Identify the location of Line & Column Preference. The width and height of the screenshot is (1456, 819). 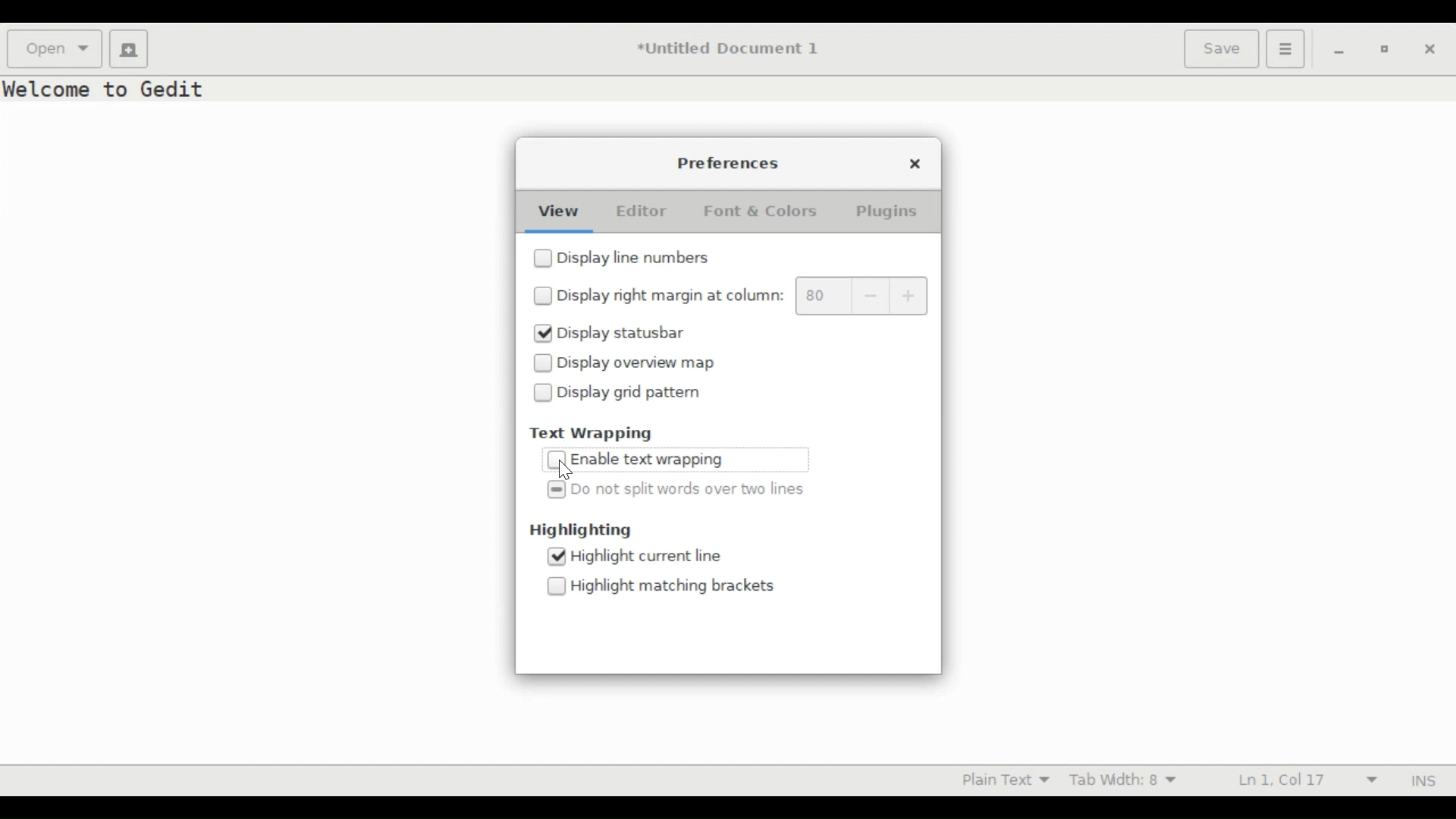
(1307, 780).